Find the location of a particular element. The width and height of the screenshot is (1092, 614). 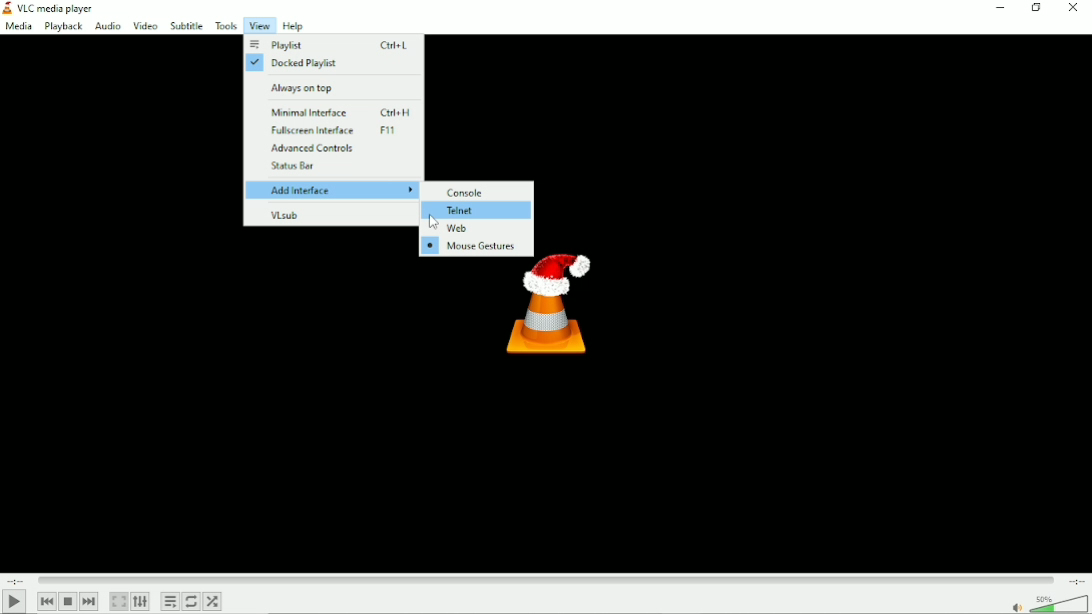

Logo is located at coordinates (549, 311).